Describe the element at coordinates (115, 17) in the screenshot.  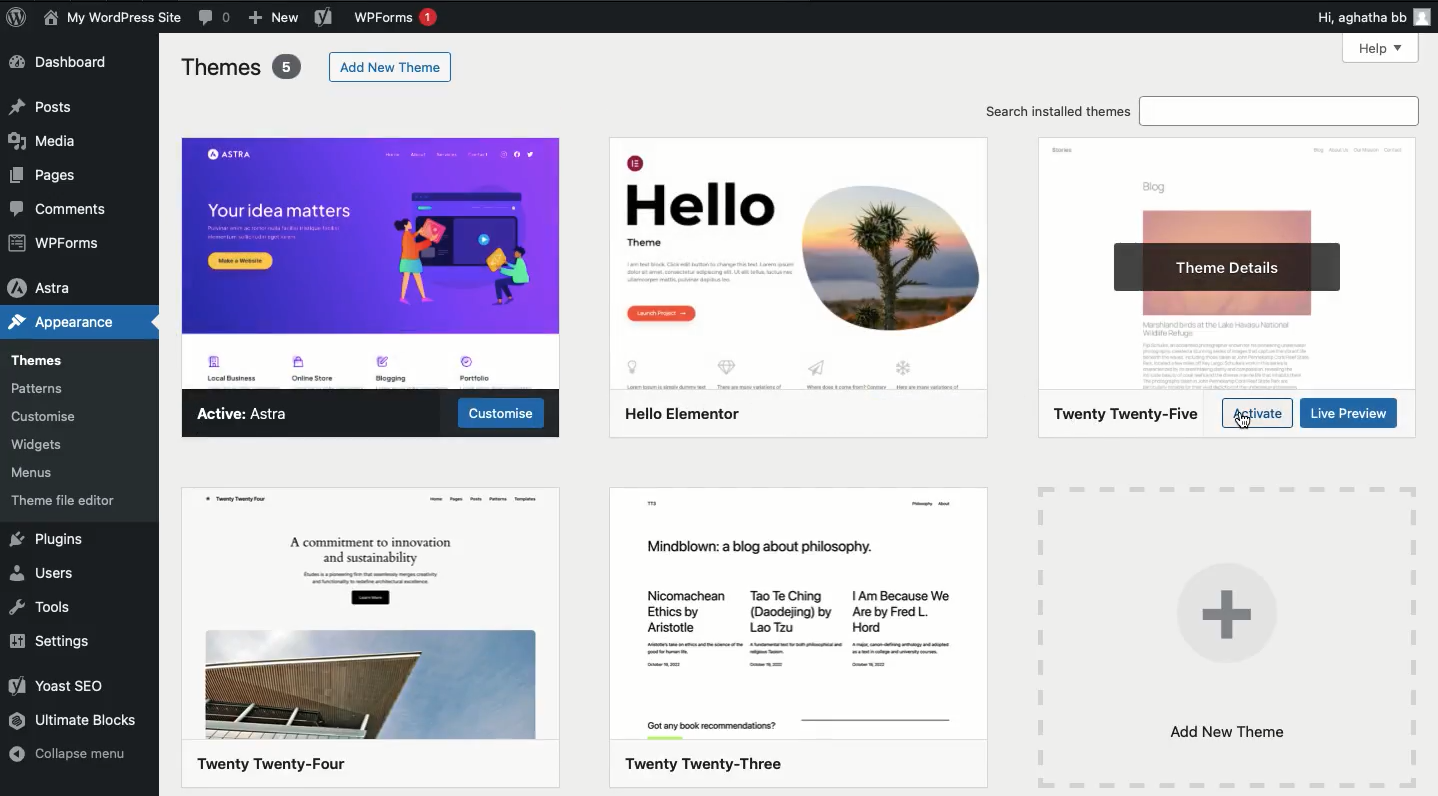
I see `News` at that location.